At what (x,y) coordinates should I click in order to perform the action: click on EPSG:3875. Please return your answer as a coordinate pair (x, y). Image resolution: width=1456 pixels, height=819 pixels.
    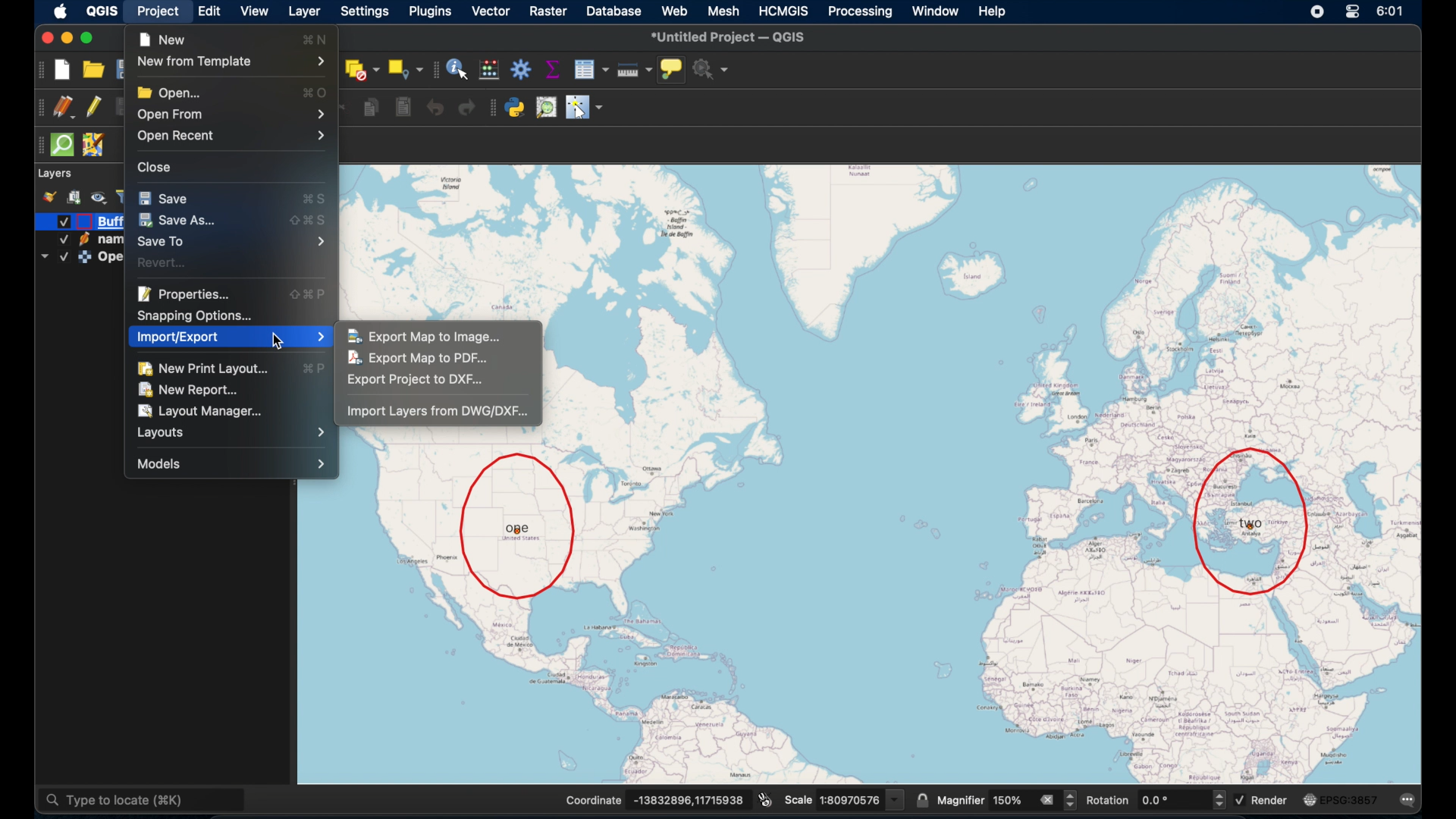
    Looking at the image, I should click on (1351, 800).